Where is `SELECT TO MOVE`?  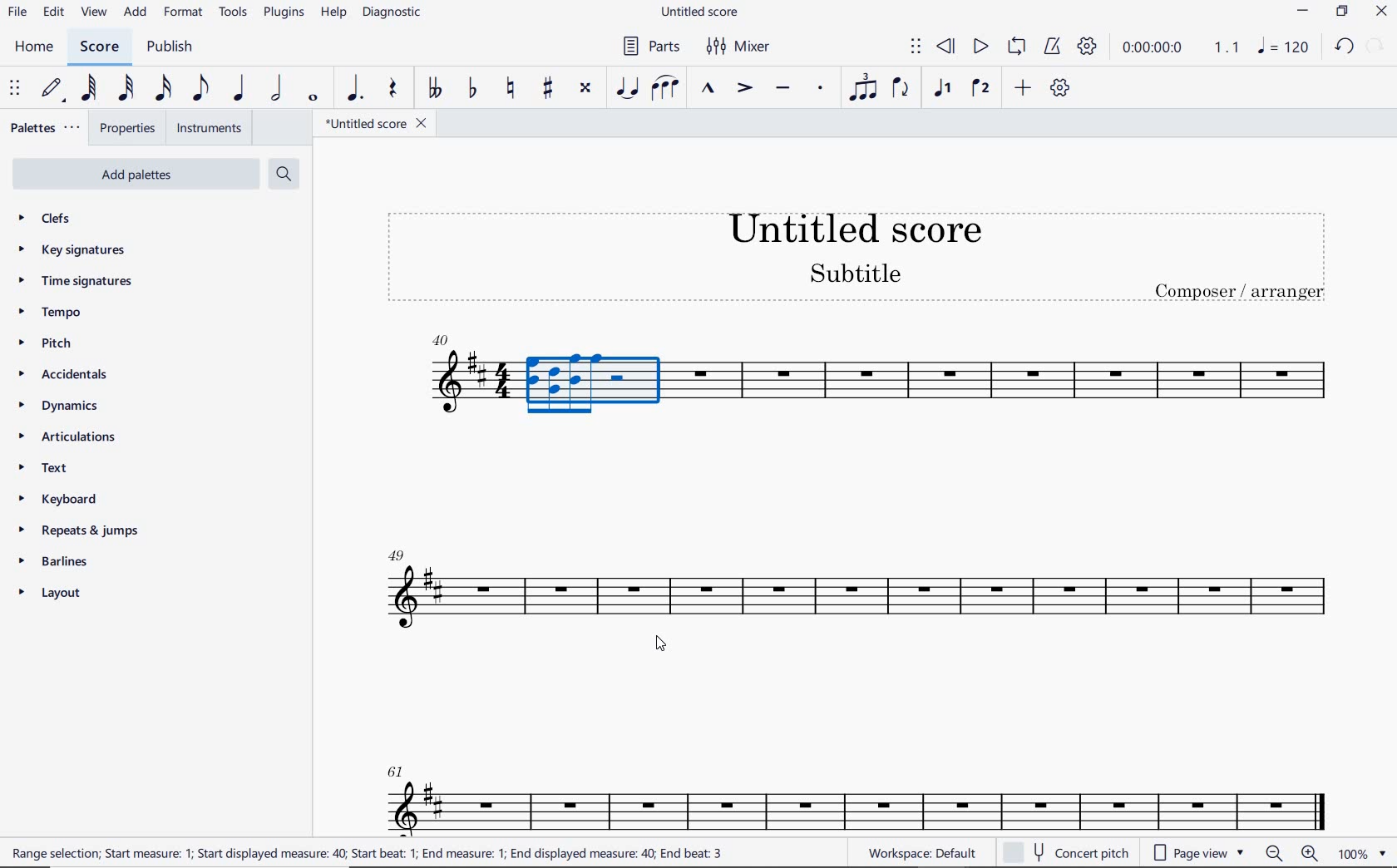 SELECT TO MOVE is located at coordinates (916, 47).